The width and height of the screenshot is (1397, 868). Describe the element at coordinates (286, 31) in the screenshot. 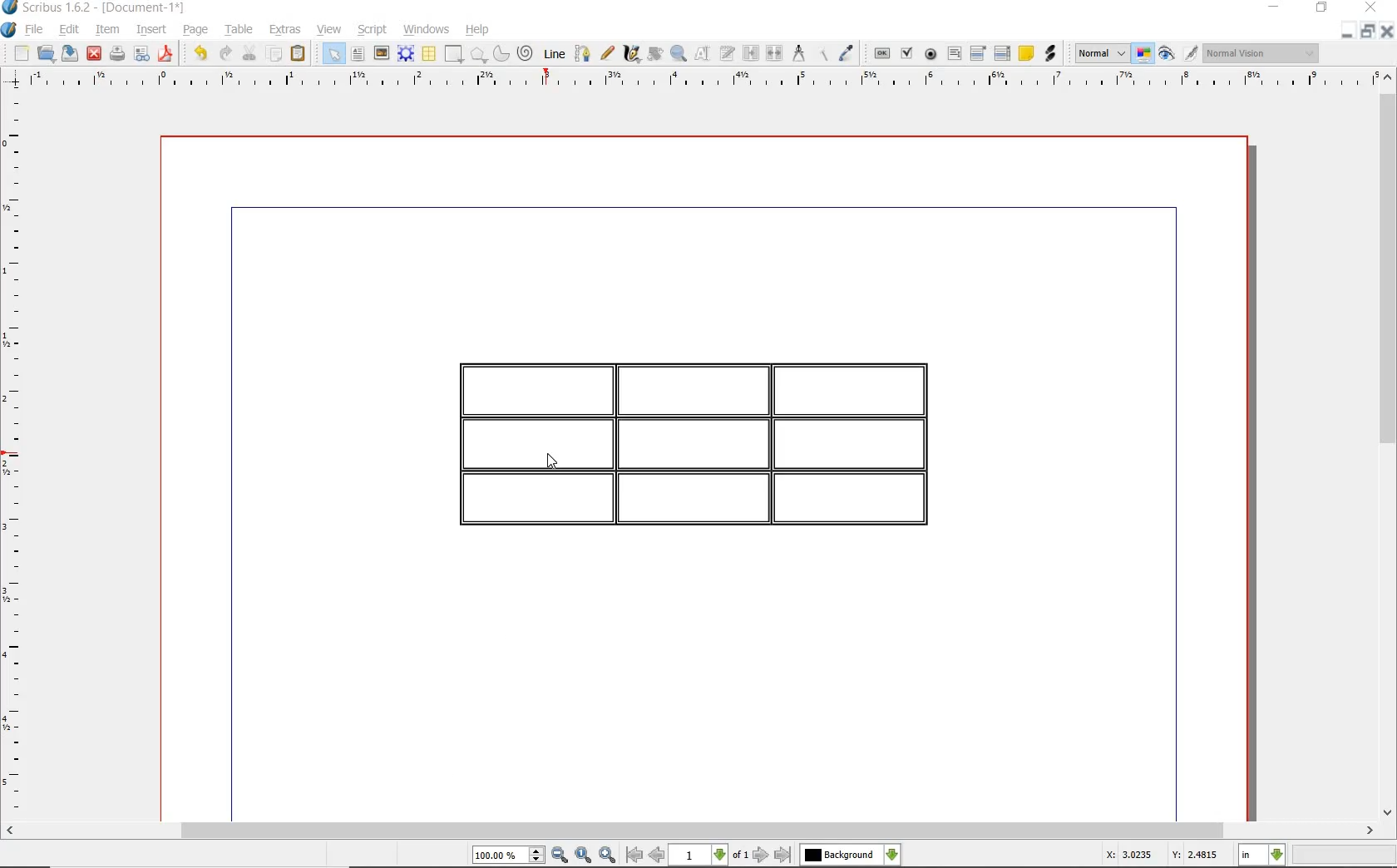

I see `extras` at that location.